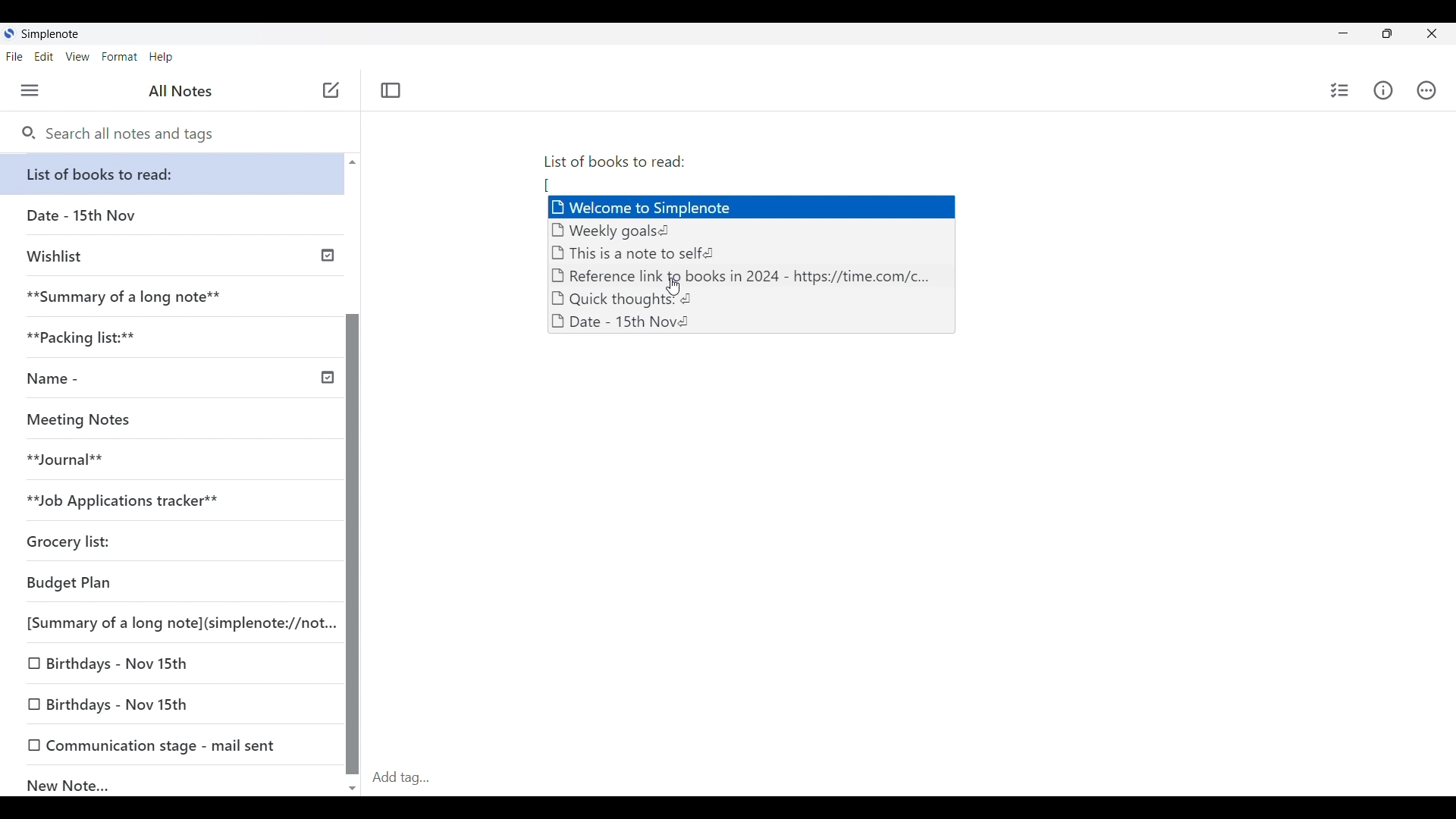 Image resolution: width=1456 pixels, height=819 pixels. What do you see at coordinates (176, 174) in the screenshot?
I see `List of books to read:` at bounding box center [176, 174].